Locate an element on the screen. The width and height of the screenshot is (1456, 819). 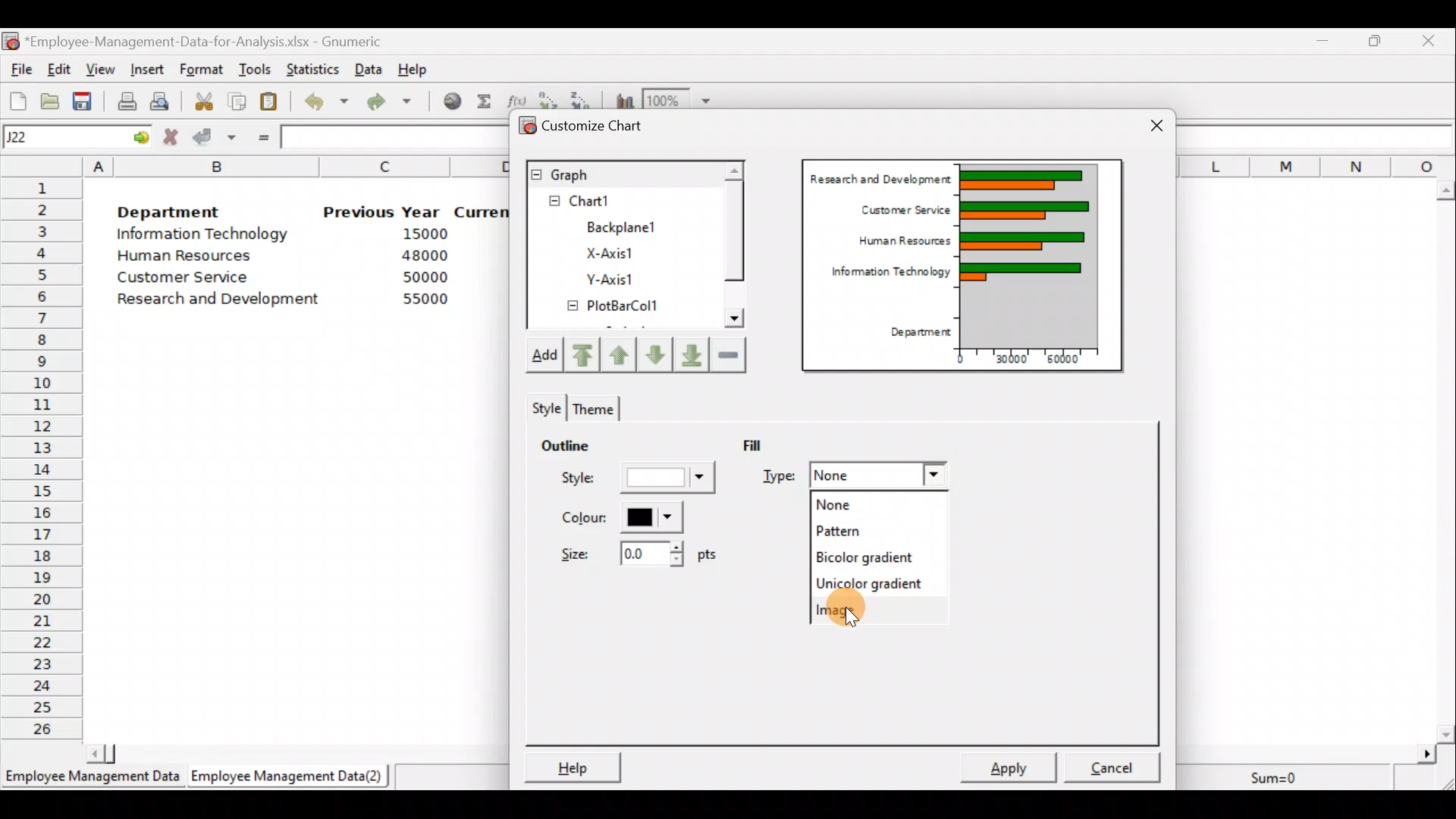
Employee Management Data is located at coordinates (90, 778).